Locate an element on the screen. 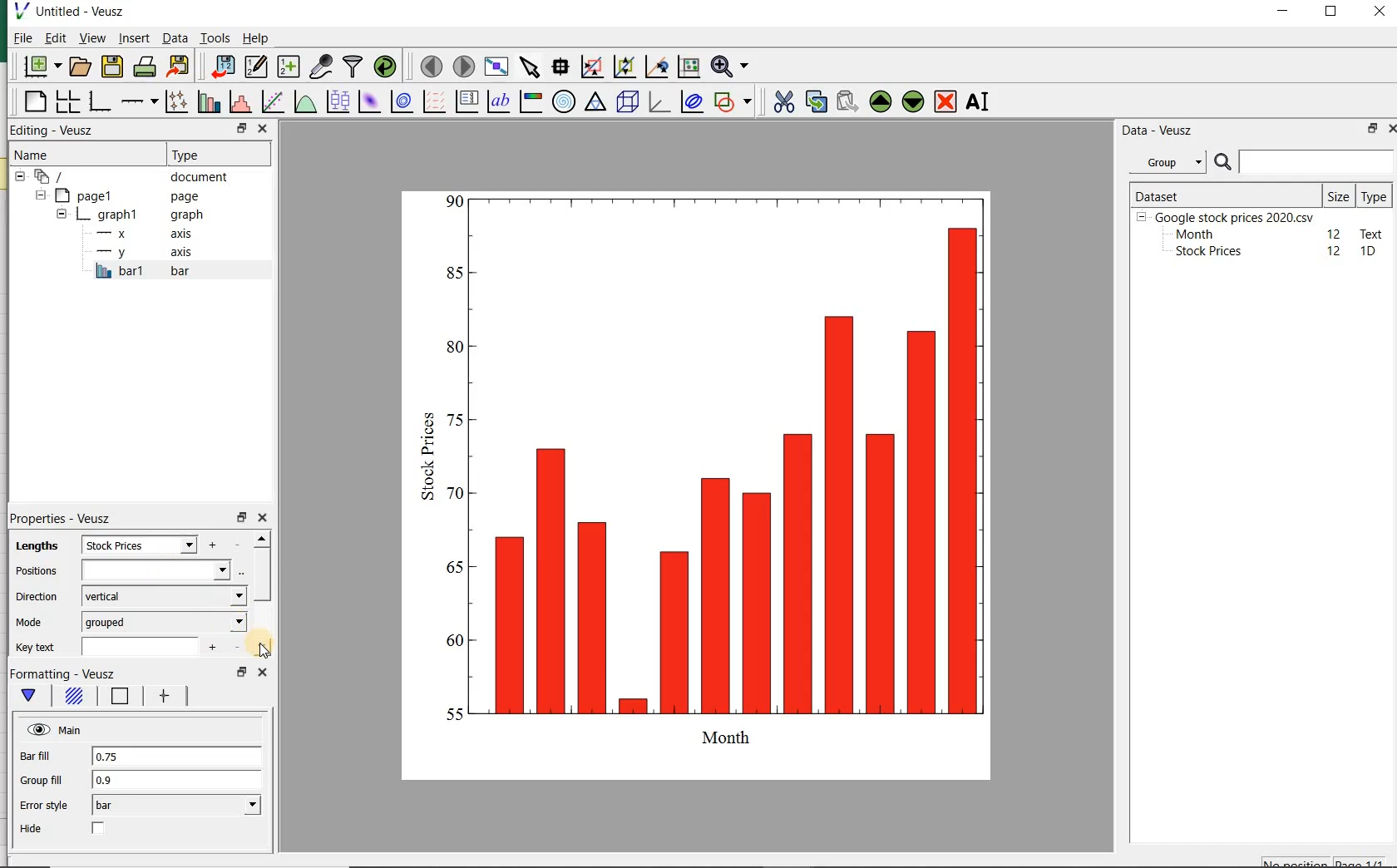 This screenshot has width=1397, height=868. plot box plots is located at coordinates (335, 103).